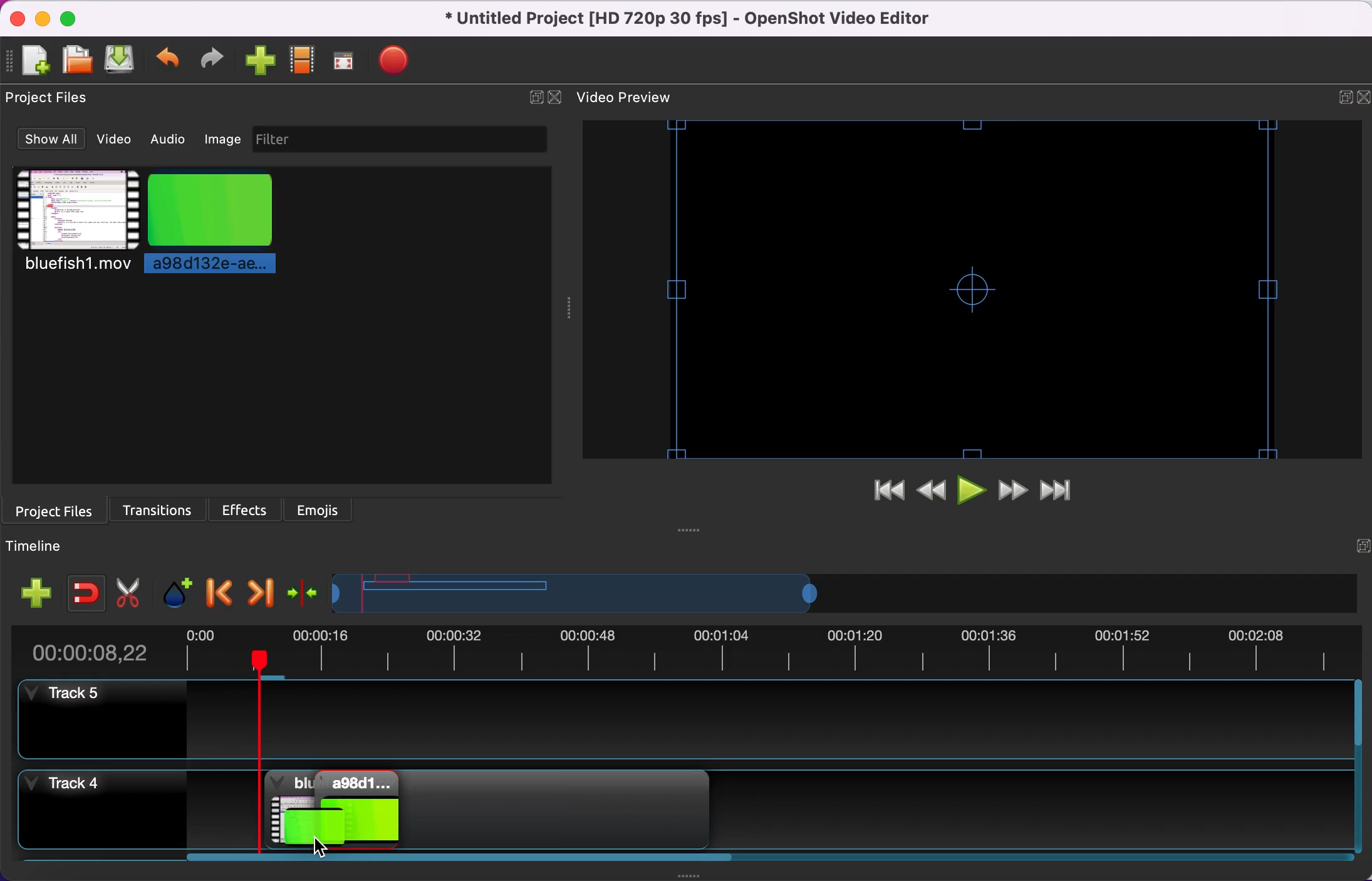 The height and width of the screenshot is (881, 1372). Describe the element at coordinates (397, 63) in the screenshot. I see `export file` at that location.